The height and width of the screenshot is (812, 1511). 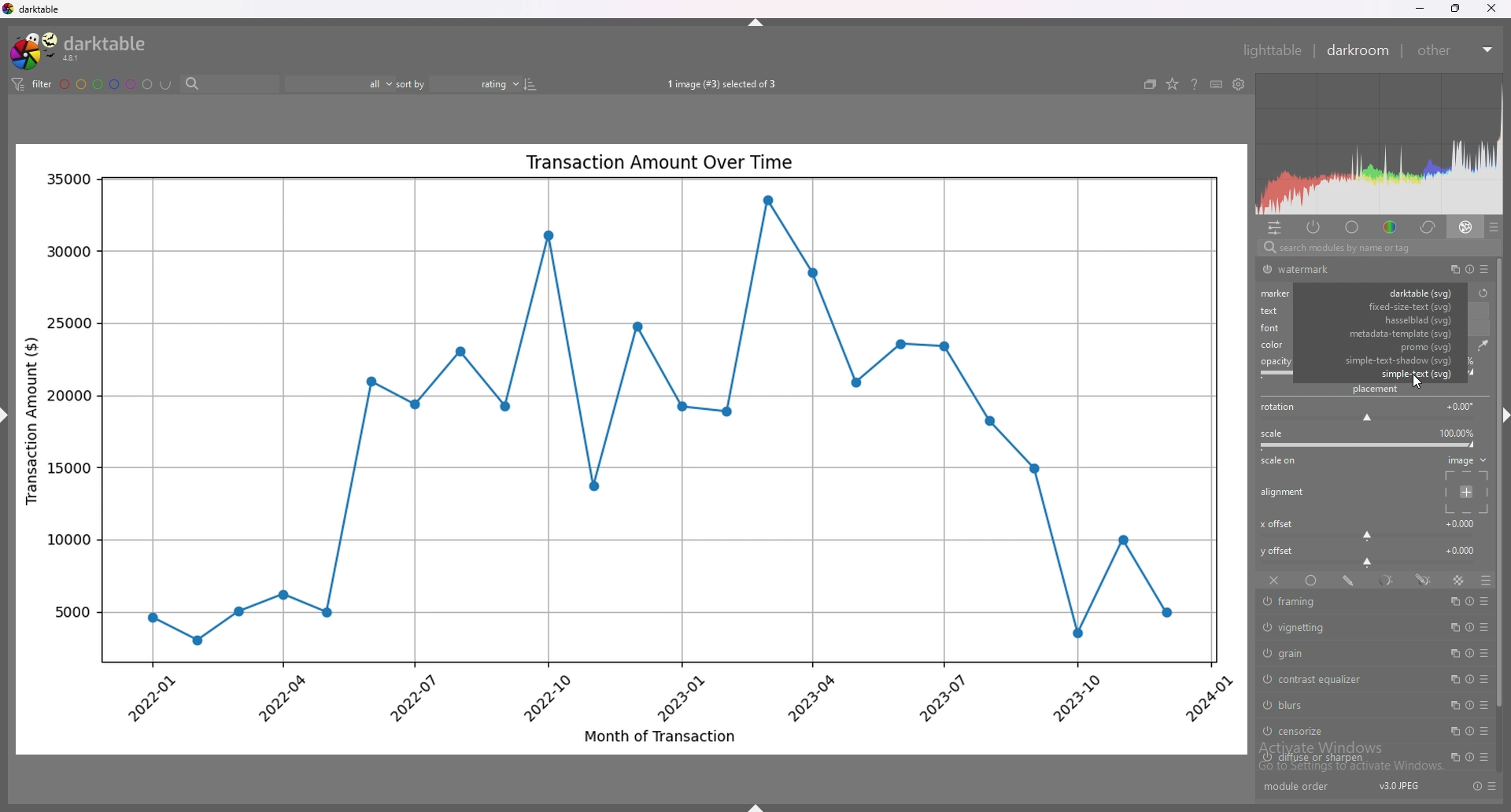 I want to click on active modules, so click(x=1315, y=228).